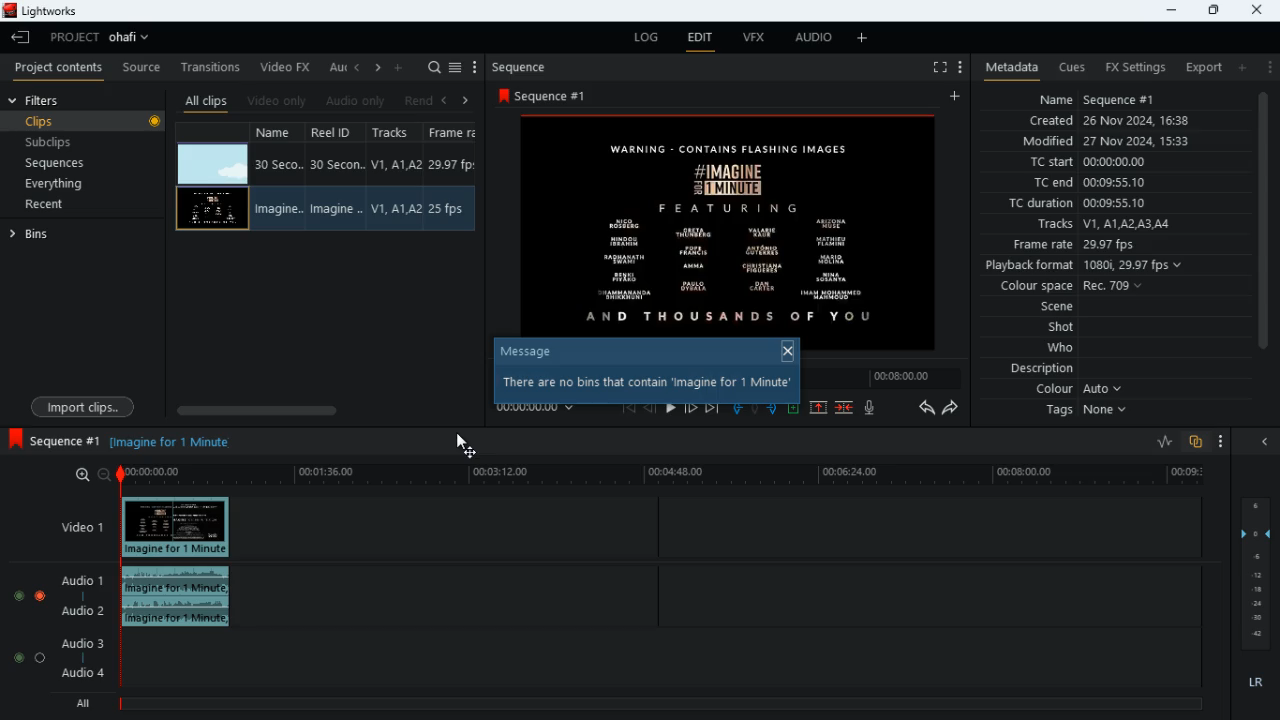  Describe the element at coordinates (402, 67) in the screenshot. I see `add` at that location.